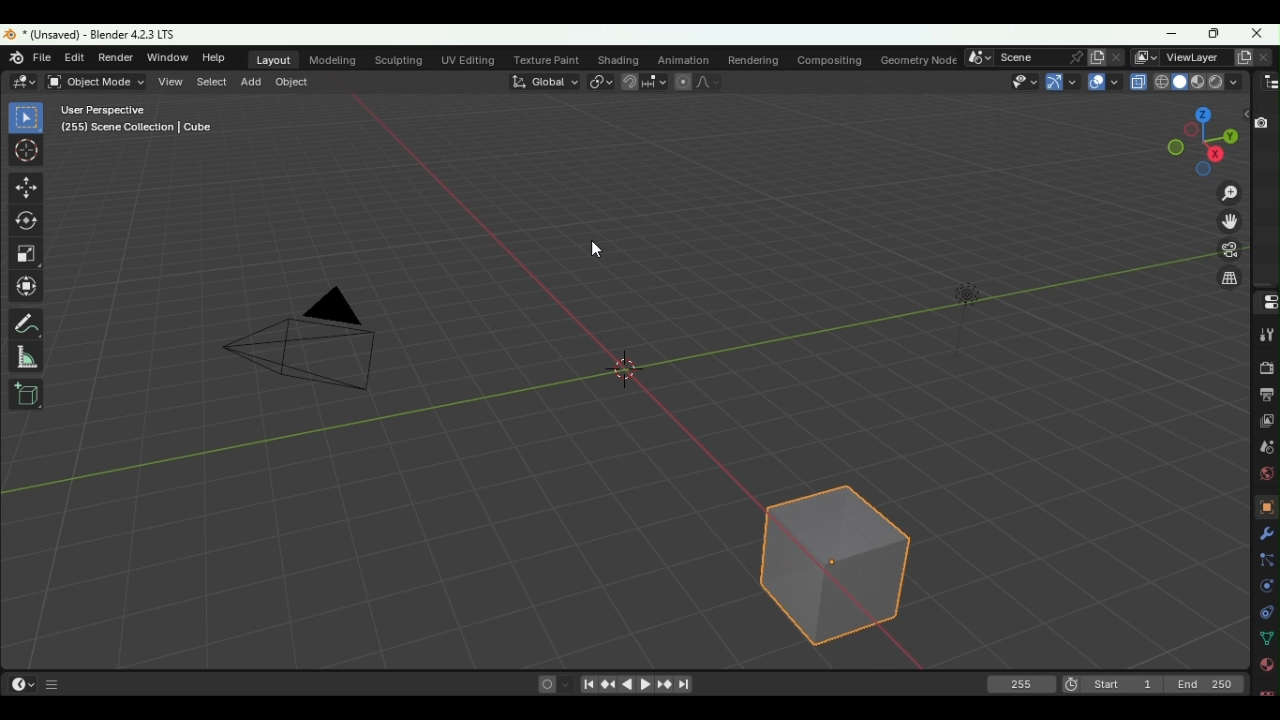  Describe the element at coordinates (616, 60) in the screenshot. I see `Shading` at that location.